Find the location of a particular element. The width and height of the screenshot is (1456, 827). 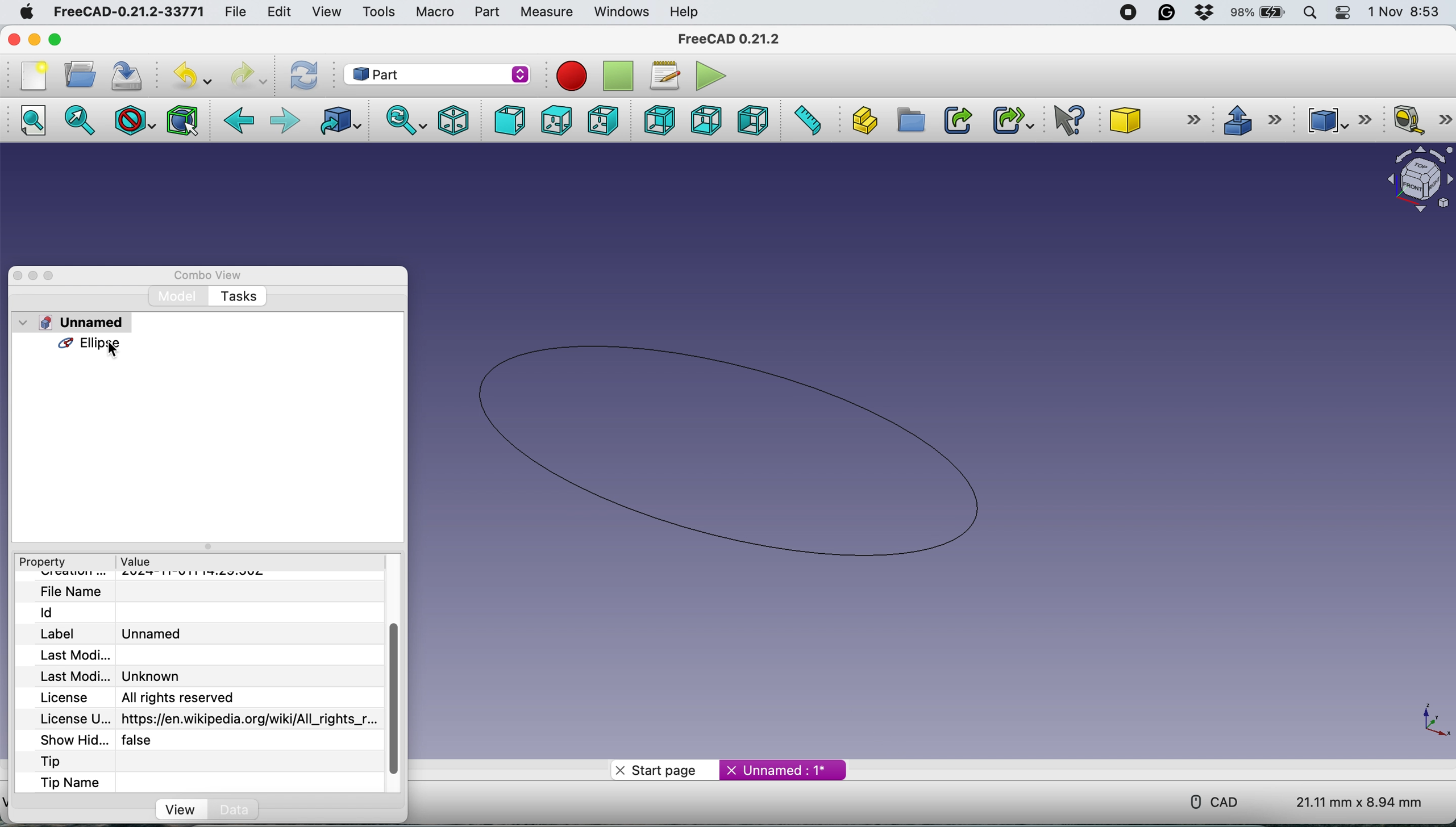

unnamed is located at coordinates (779, 770).